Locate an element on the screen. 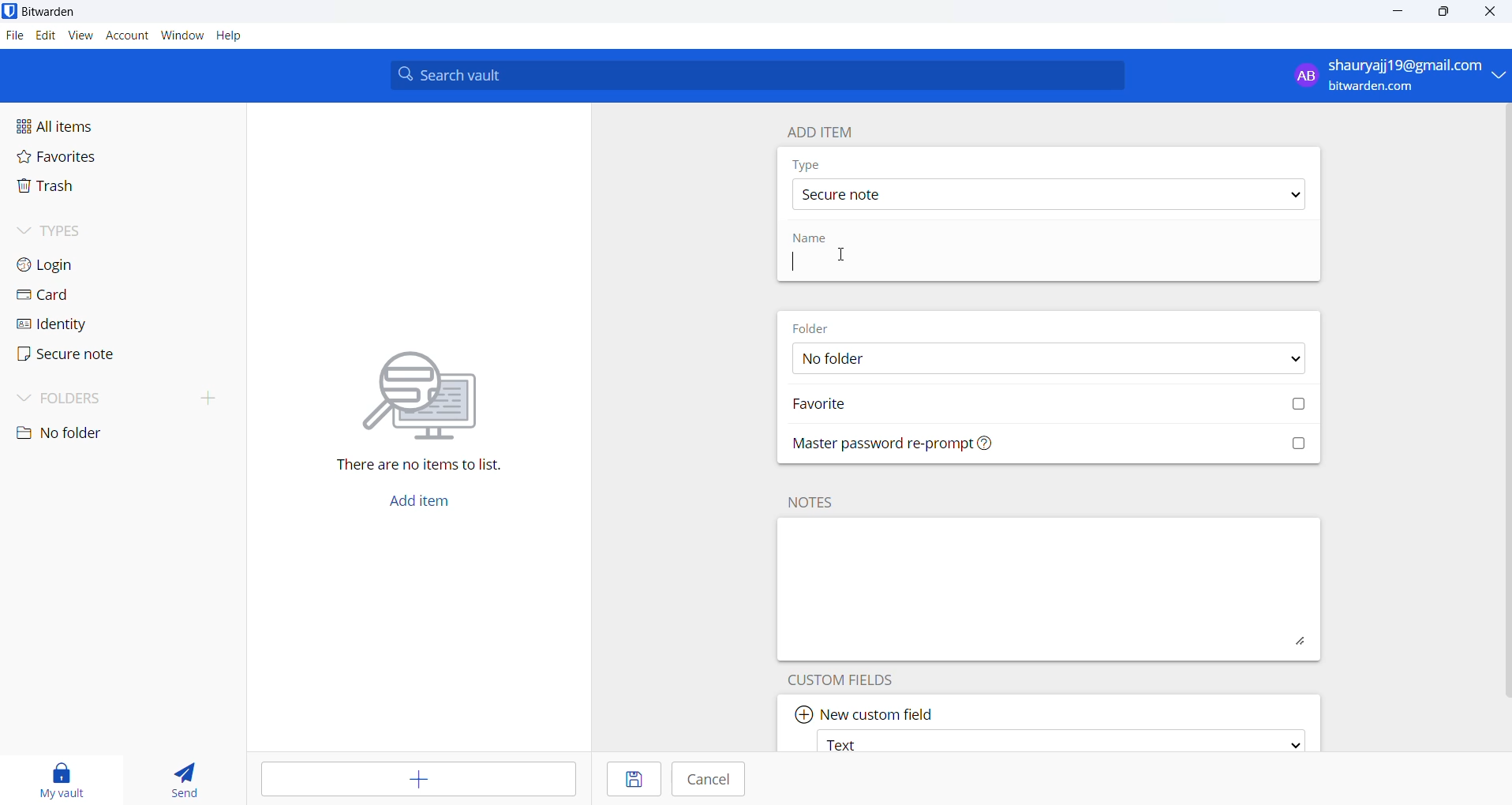 This screenshot has height=805, width=1512. type heading is located at coordinates (807, 164).